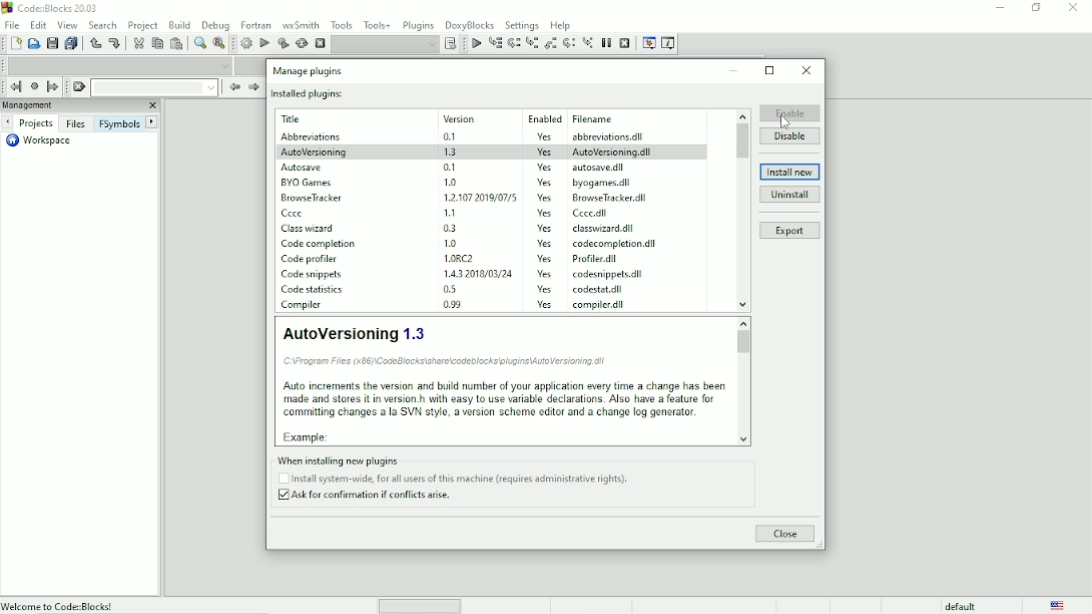 The height and width of the screenshot is (614, 1092). What do you see at coordinates (310, 71) in the screenshot?
I see `Manage plugins` at bounding box center [310, 71].